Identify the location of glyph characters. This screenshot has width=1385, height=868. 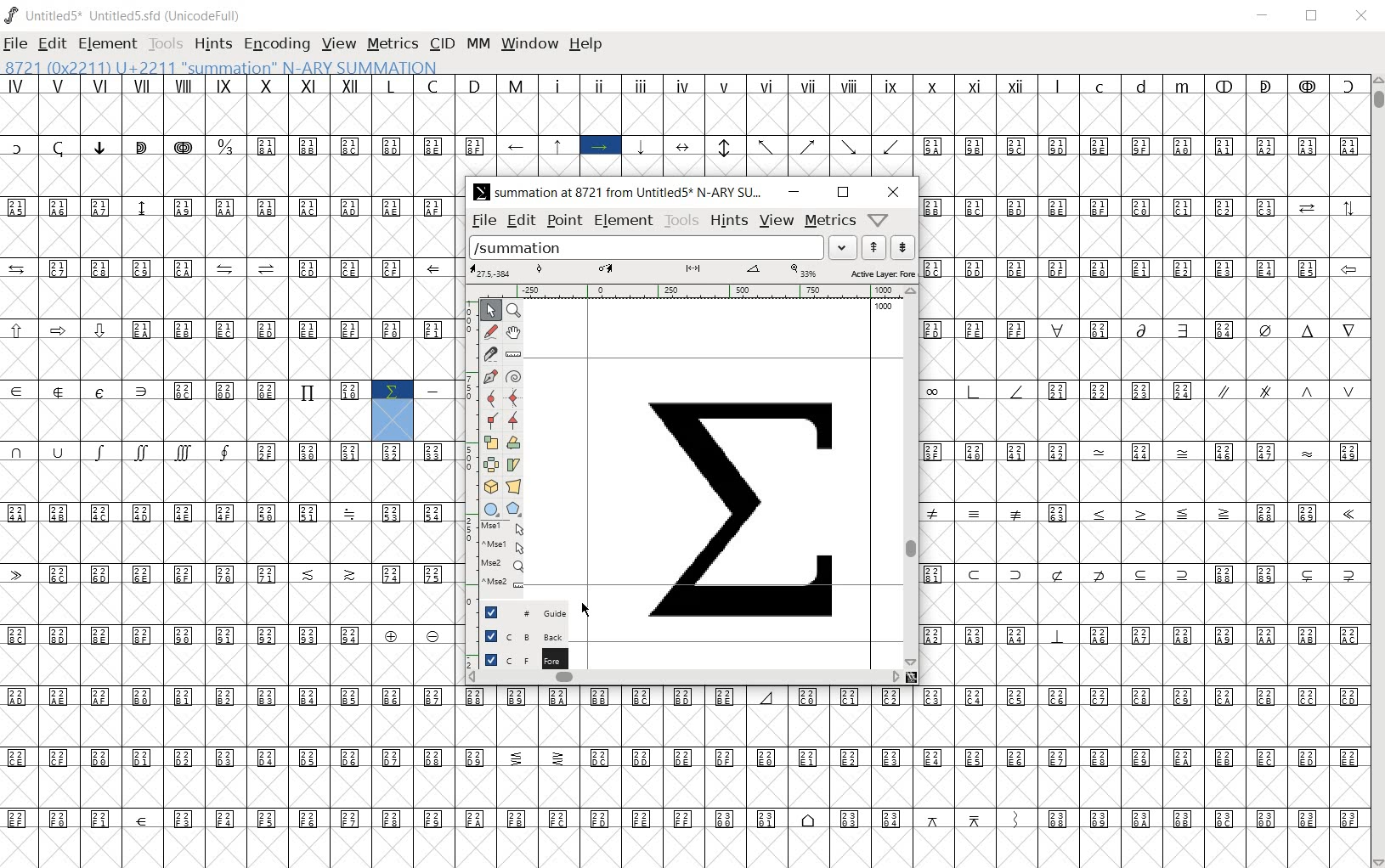
(227, 472).